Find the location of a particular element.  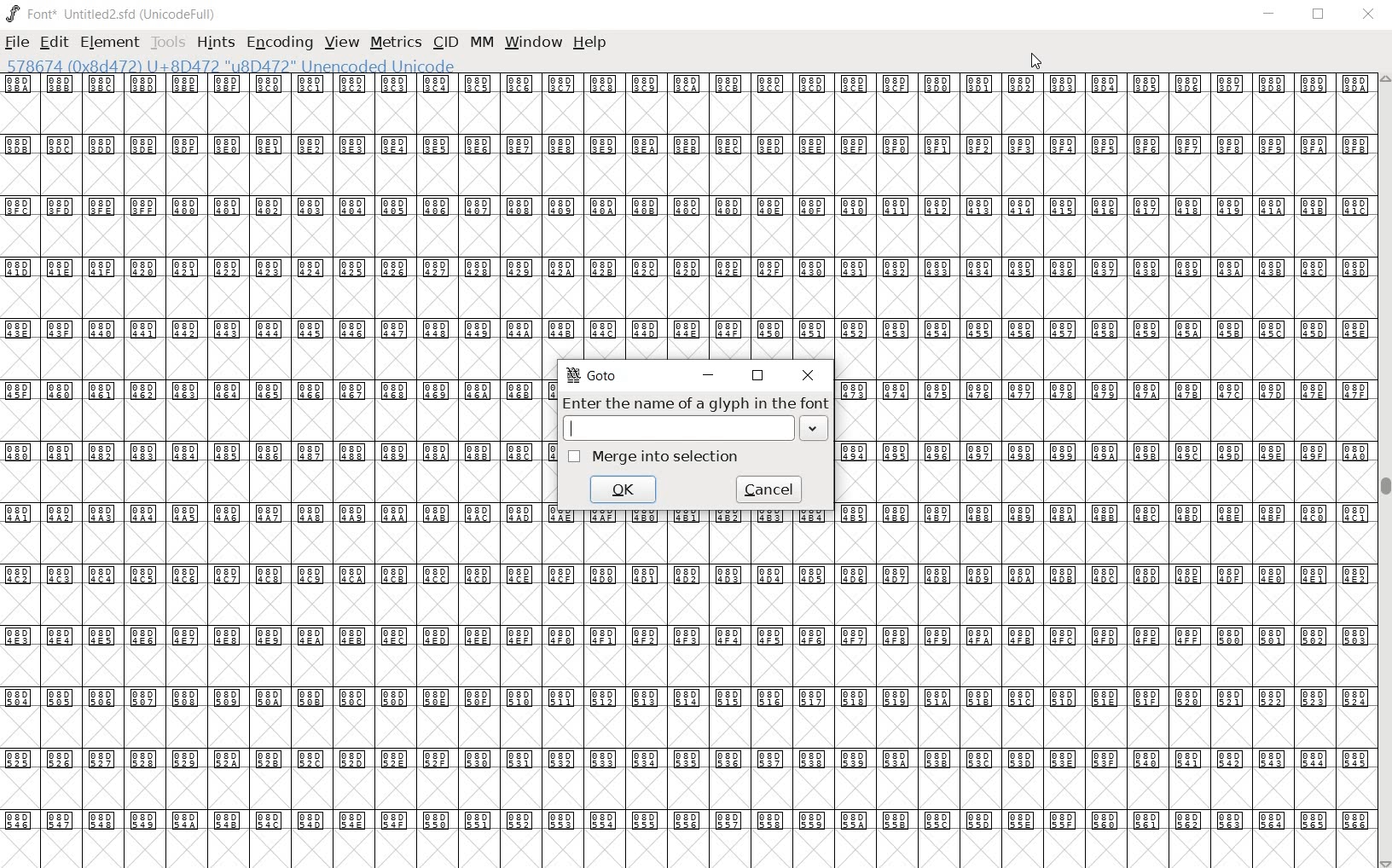

glyph characters is located at coordinates (959, 196).